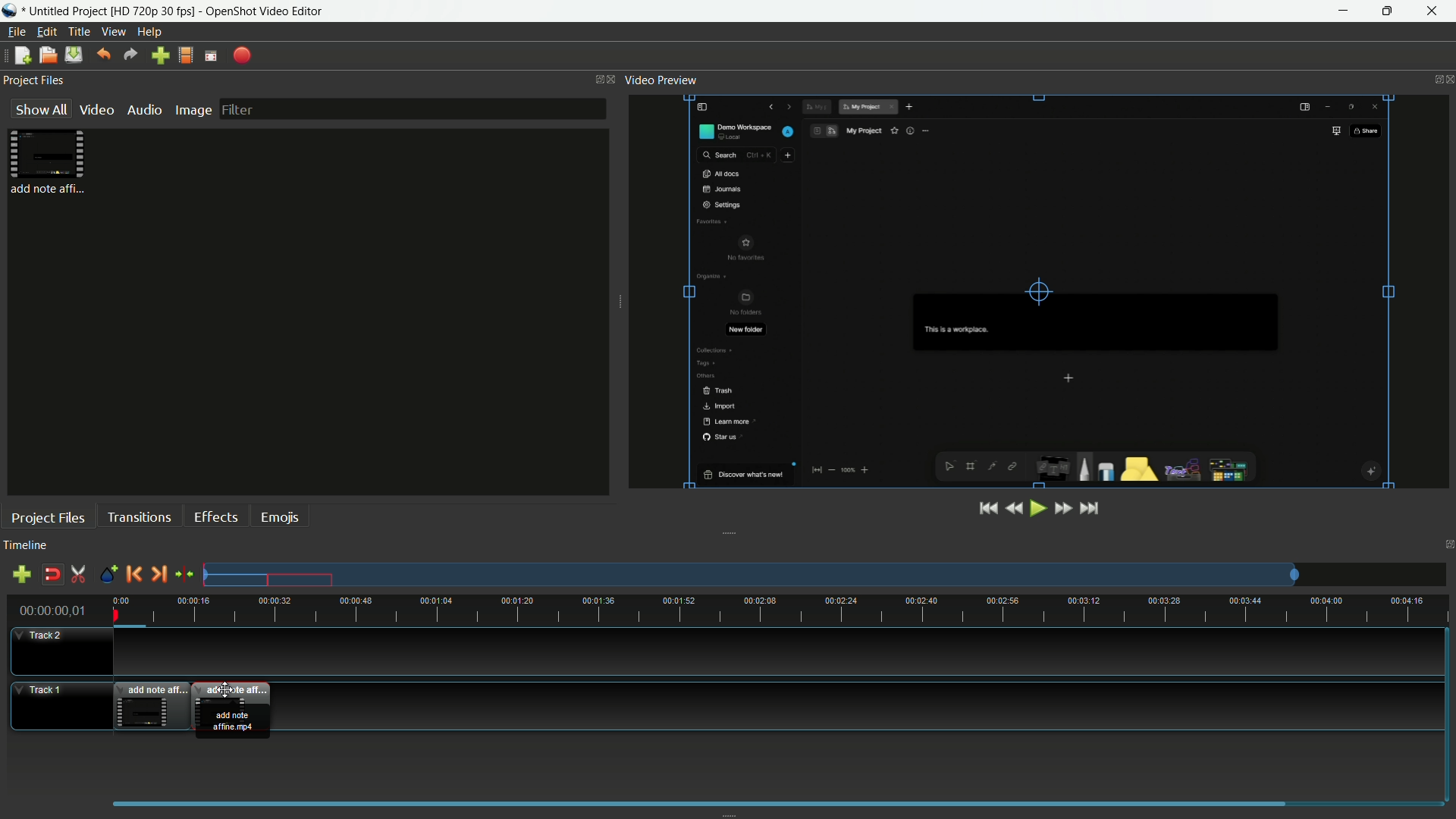  I want to click on rewind, so click(1012, 509).